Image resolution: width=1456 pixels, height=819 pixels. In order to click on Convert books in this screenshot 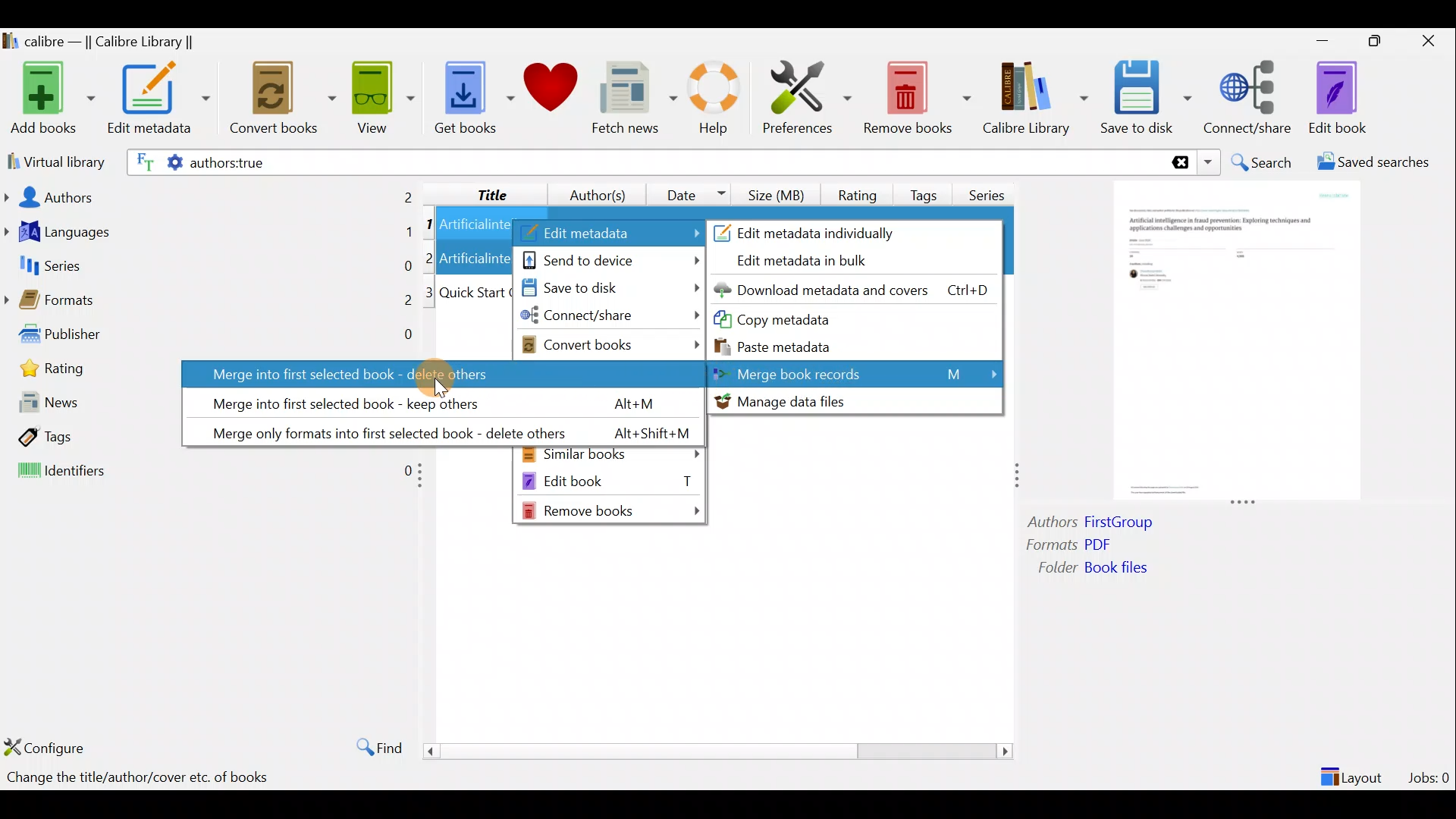, I will do `click(283, 99)`.